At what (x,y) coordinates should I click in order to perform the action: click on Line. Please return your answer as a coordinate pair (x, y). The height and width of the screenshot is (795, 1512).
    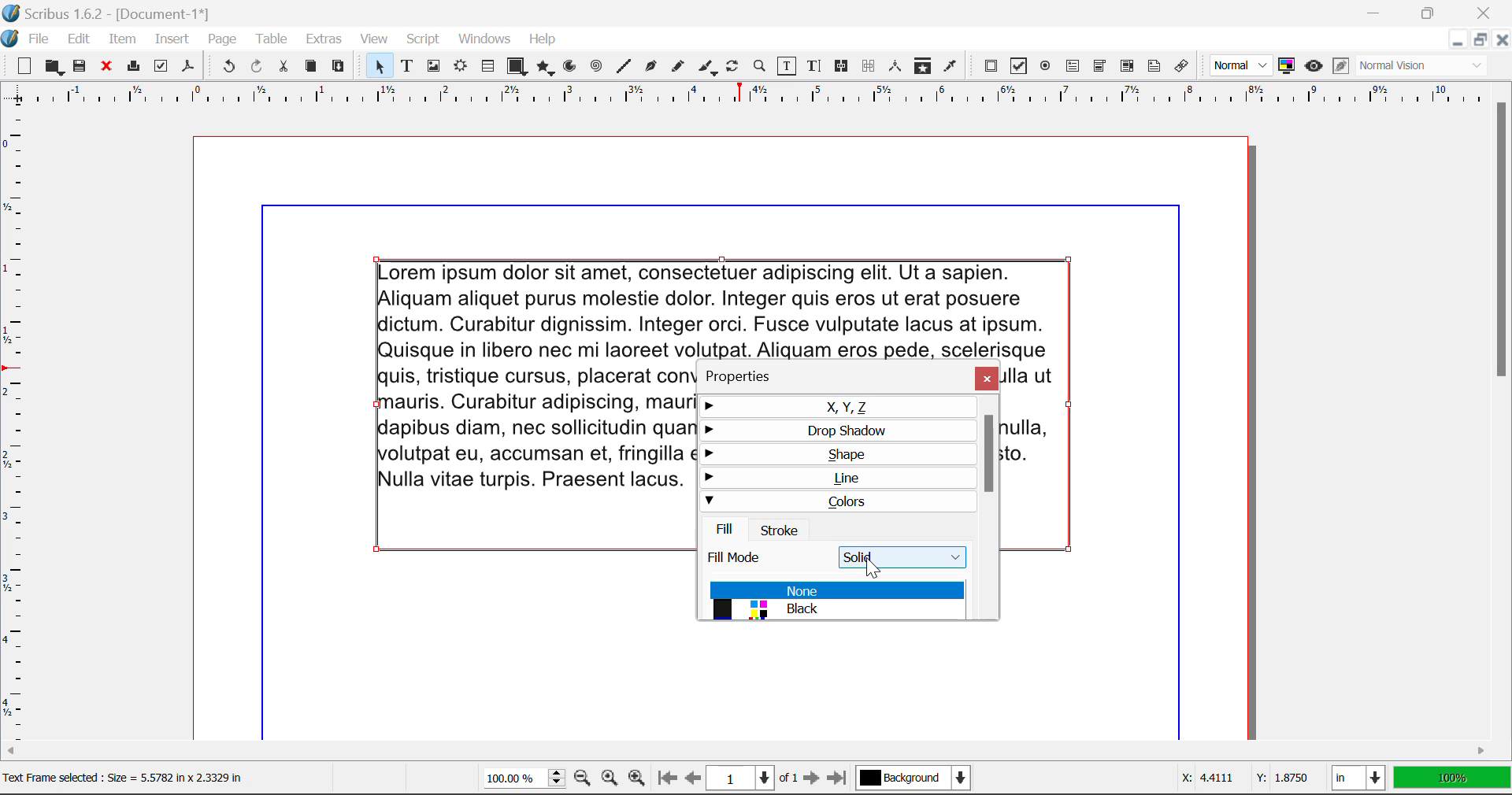
    Looking at the image, I should click on (624, 67).